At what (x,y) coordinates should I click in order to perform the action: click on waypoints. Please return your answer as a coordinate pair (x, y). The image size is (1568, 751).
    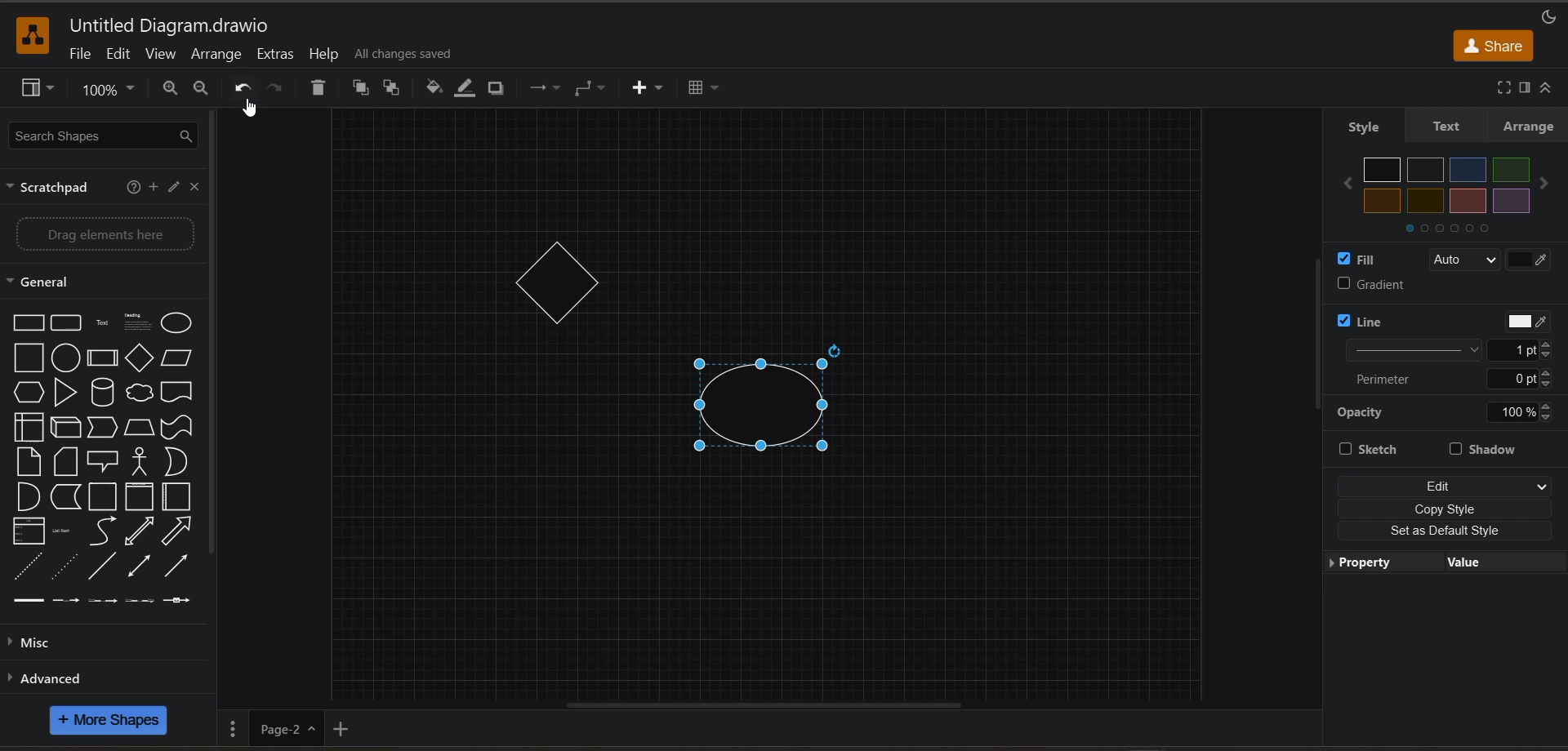
    Looking at the image, I should click on (595, 90).